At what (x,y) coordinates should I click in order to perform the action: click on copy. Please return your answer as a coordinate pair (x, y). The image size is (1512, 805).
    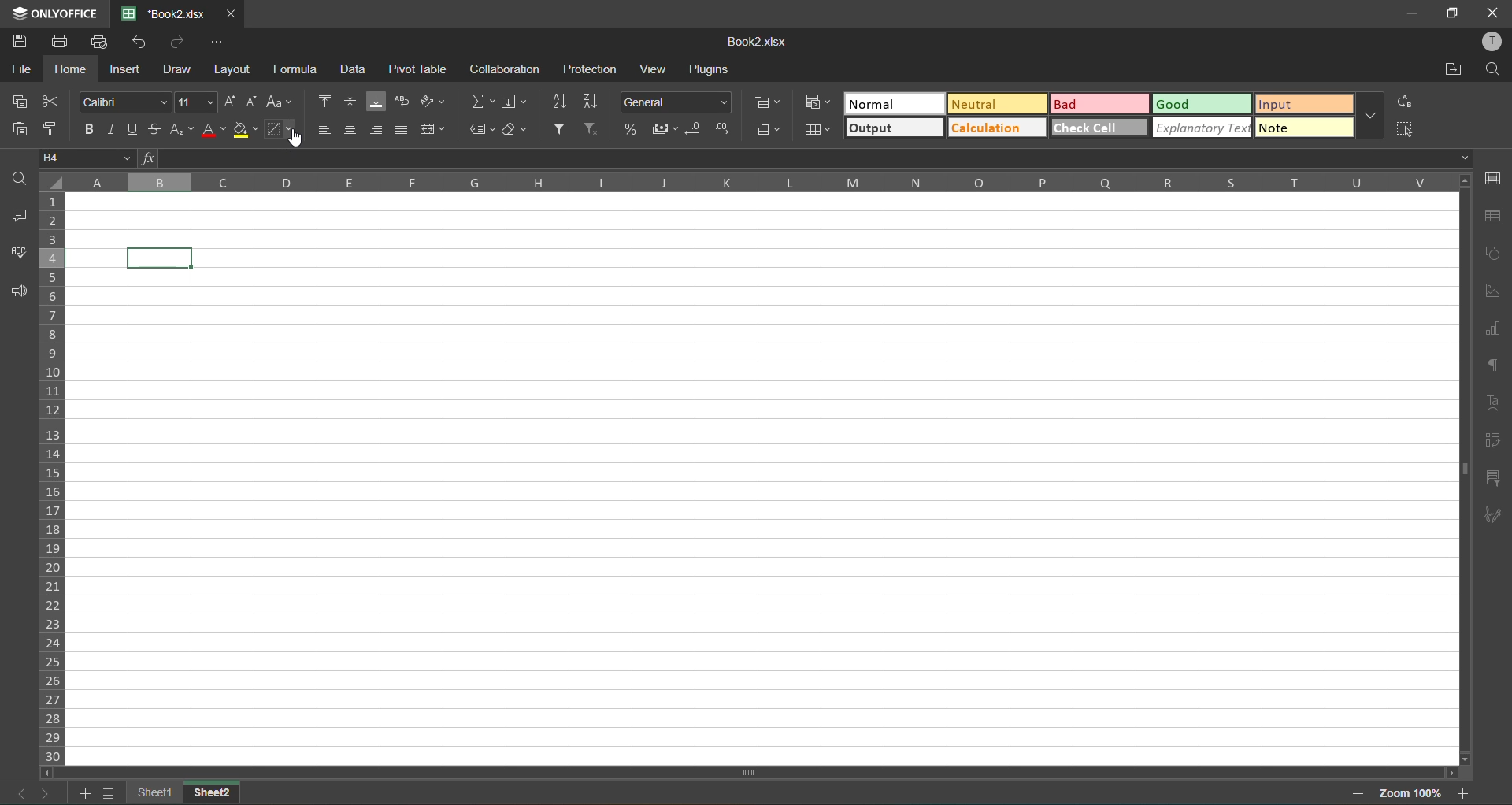
    Looking at the image, I should click on (22, 101).